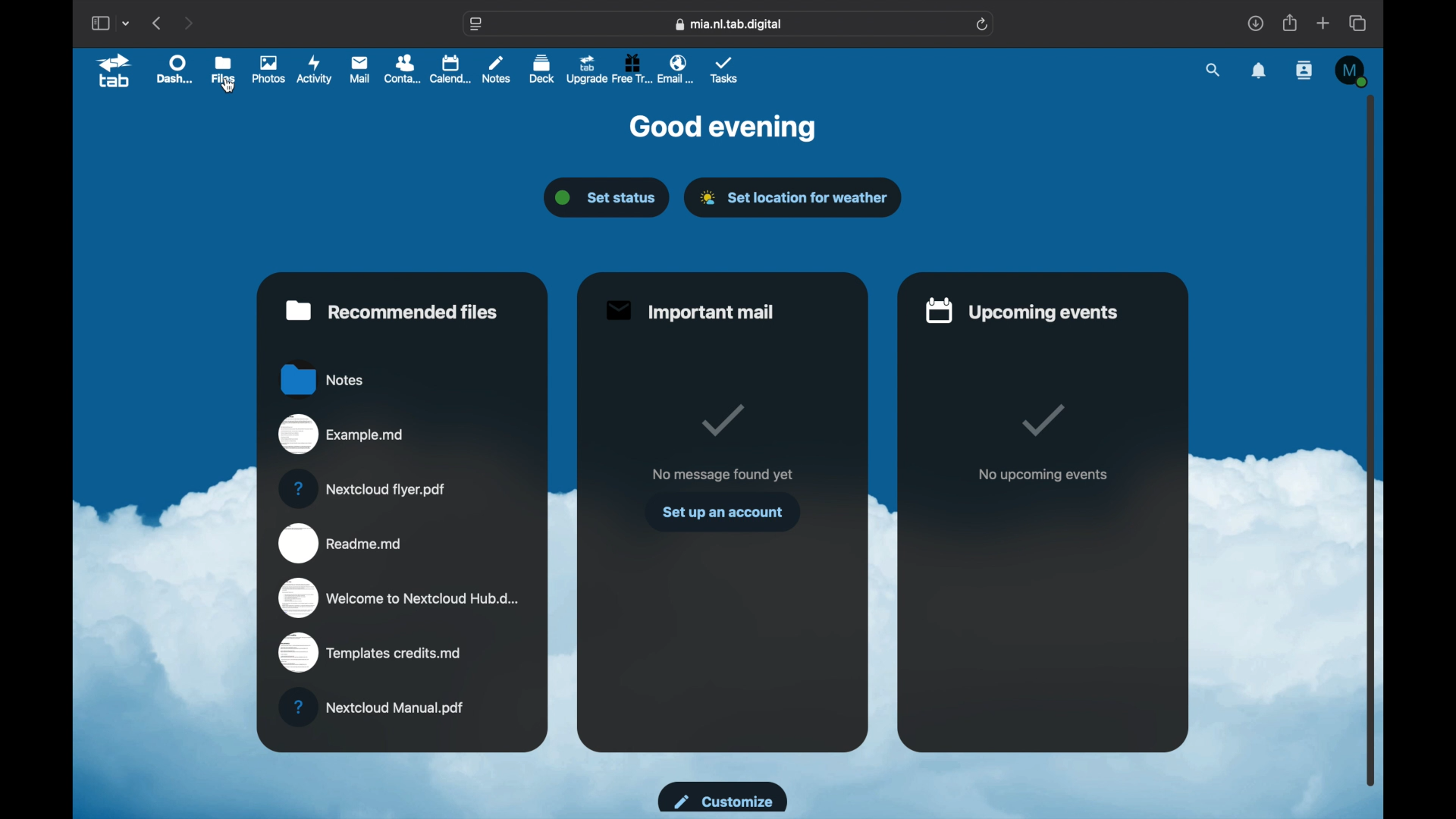 The image size is (1456, 819). Describe the element at coordinates (632, 67) in the screenshot. I see `free trial` at that location.